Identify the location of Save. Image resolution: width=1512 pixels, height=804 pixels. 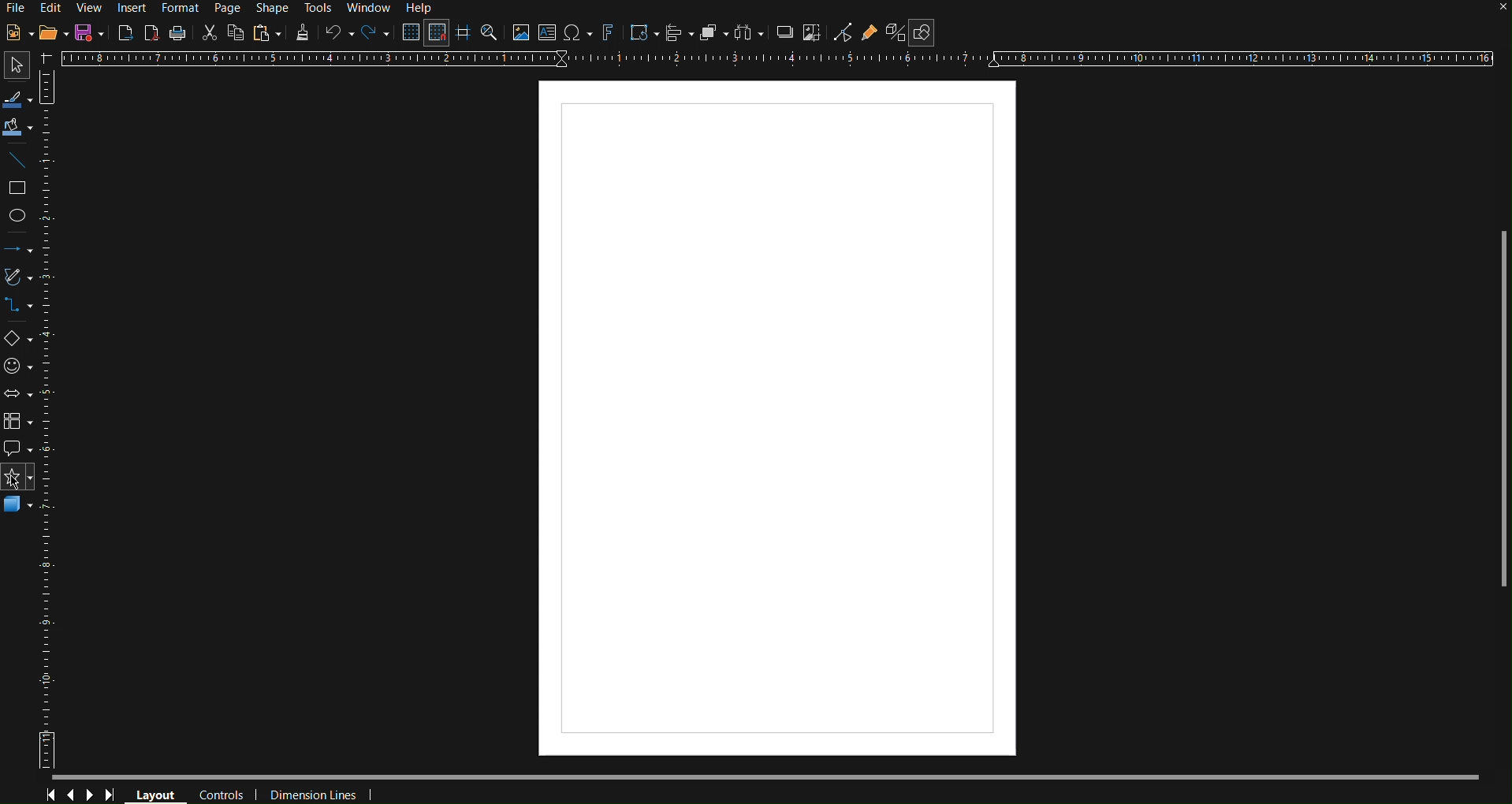
(89, 32).